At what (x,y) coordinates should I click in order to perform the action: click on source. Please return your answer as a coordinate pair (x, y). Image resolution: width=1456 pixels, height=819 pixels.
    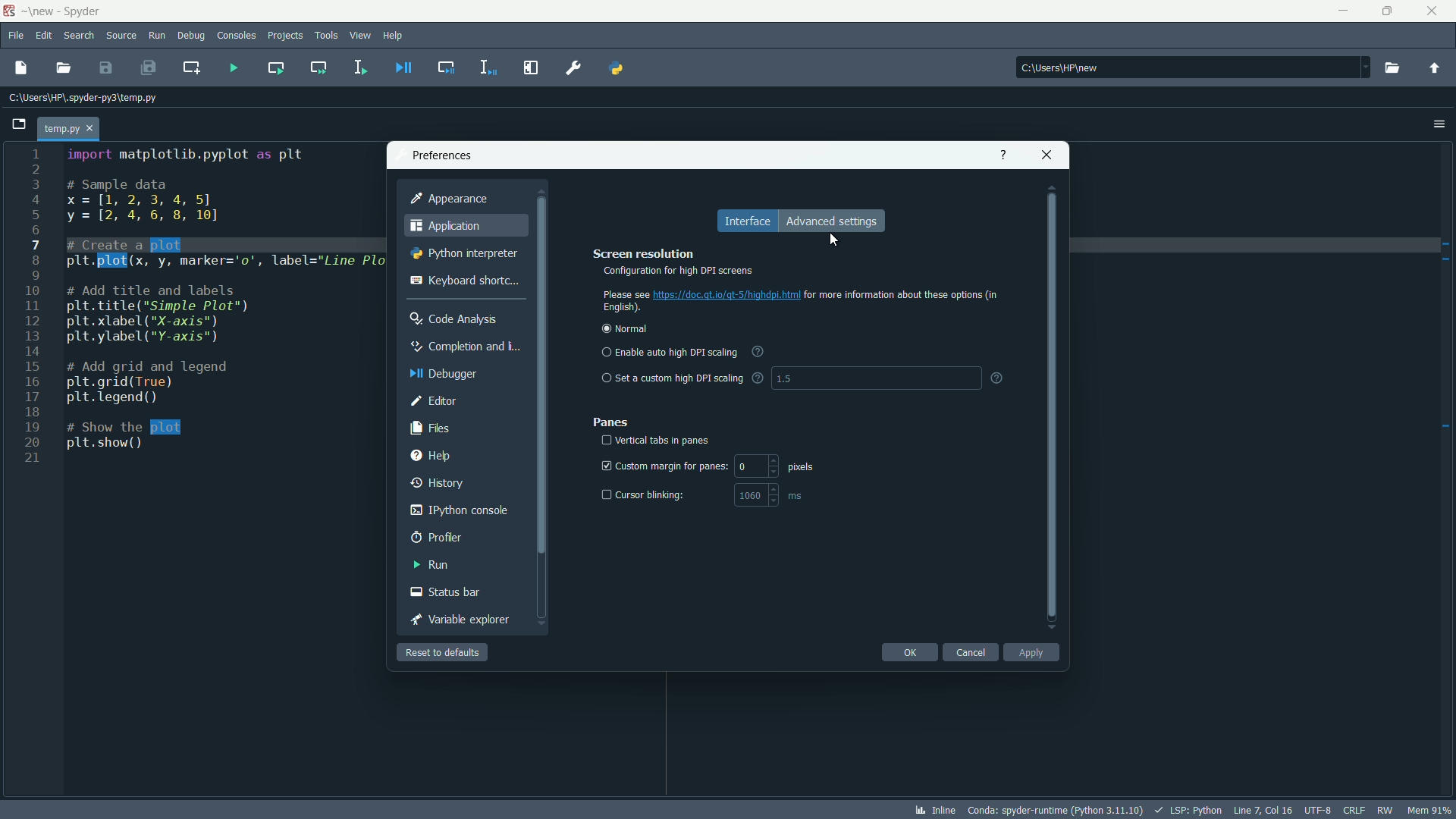
    Looking at the image, I should click on (121, 36).